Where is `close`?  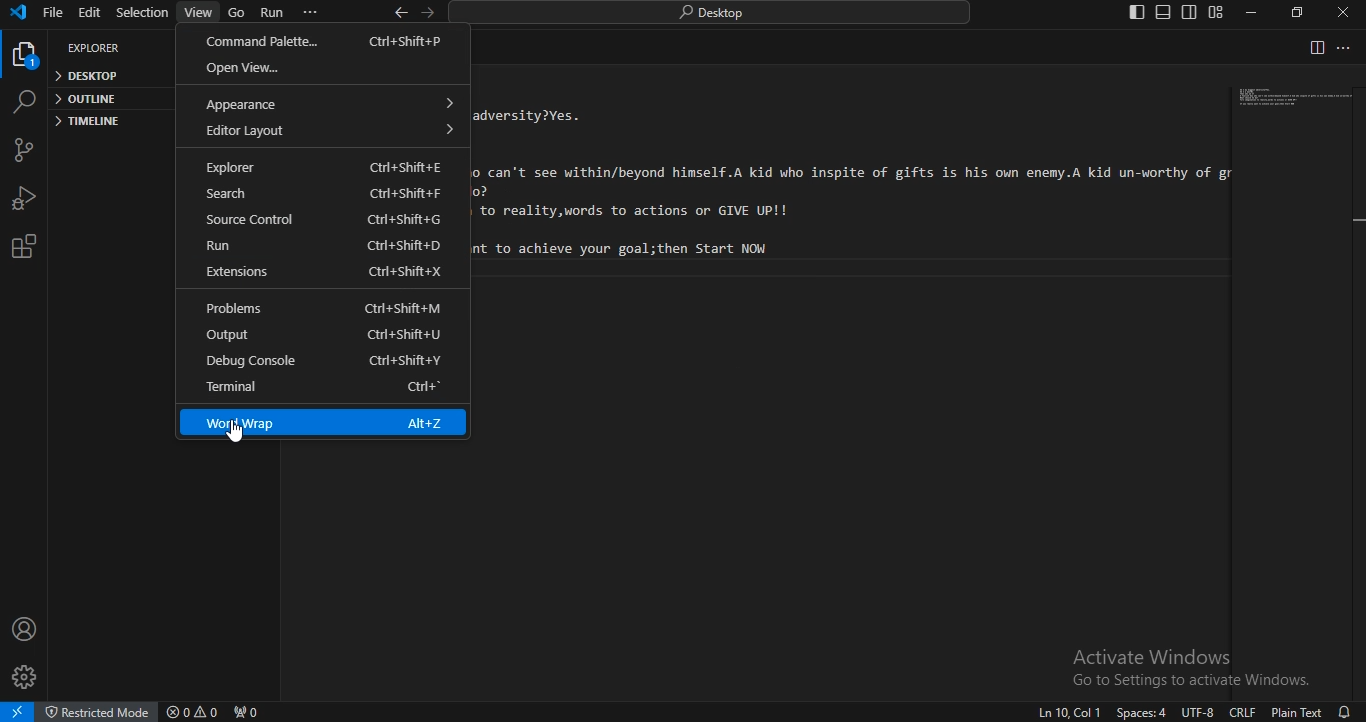
close is located at coordinates (1341, 12).